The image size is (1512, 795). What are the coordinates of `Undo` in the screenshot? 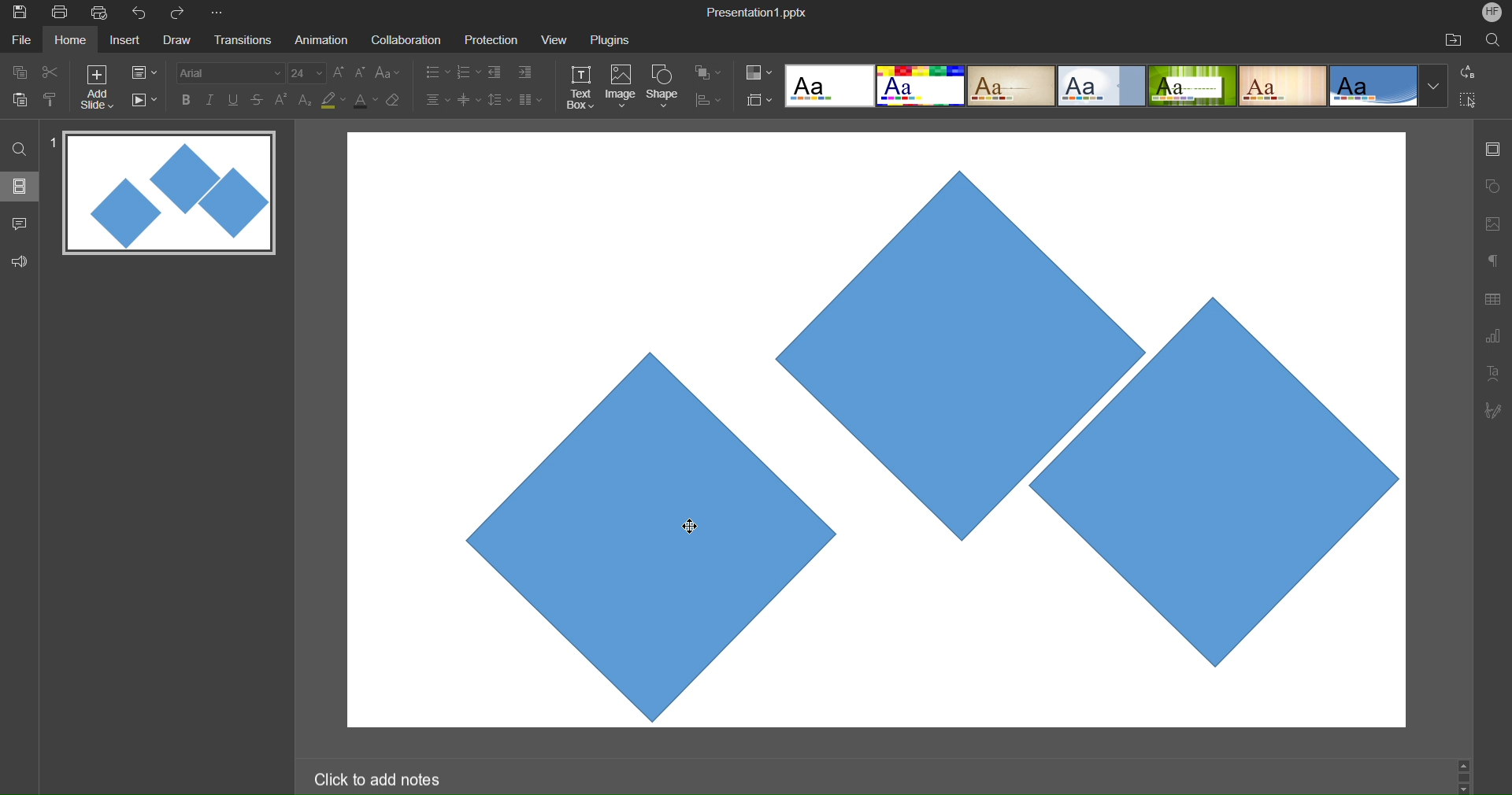 It's located at (143, 13).